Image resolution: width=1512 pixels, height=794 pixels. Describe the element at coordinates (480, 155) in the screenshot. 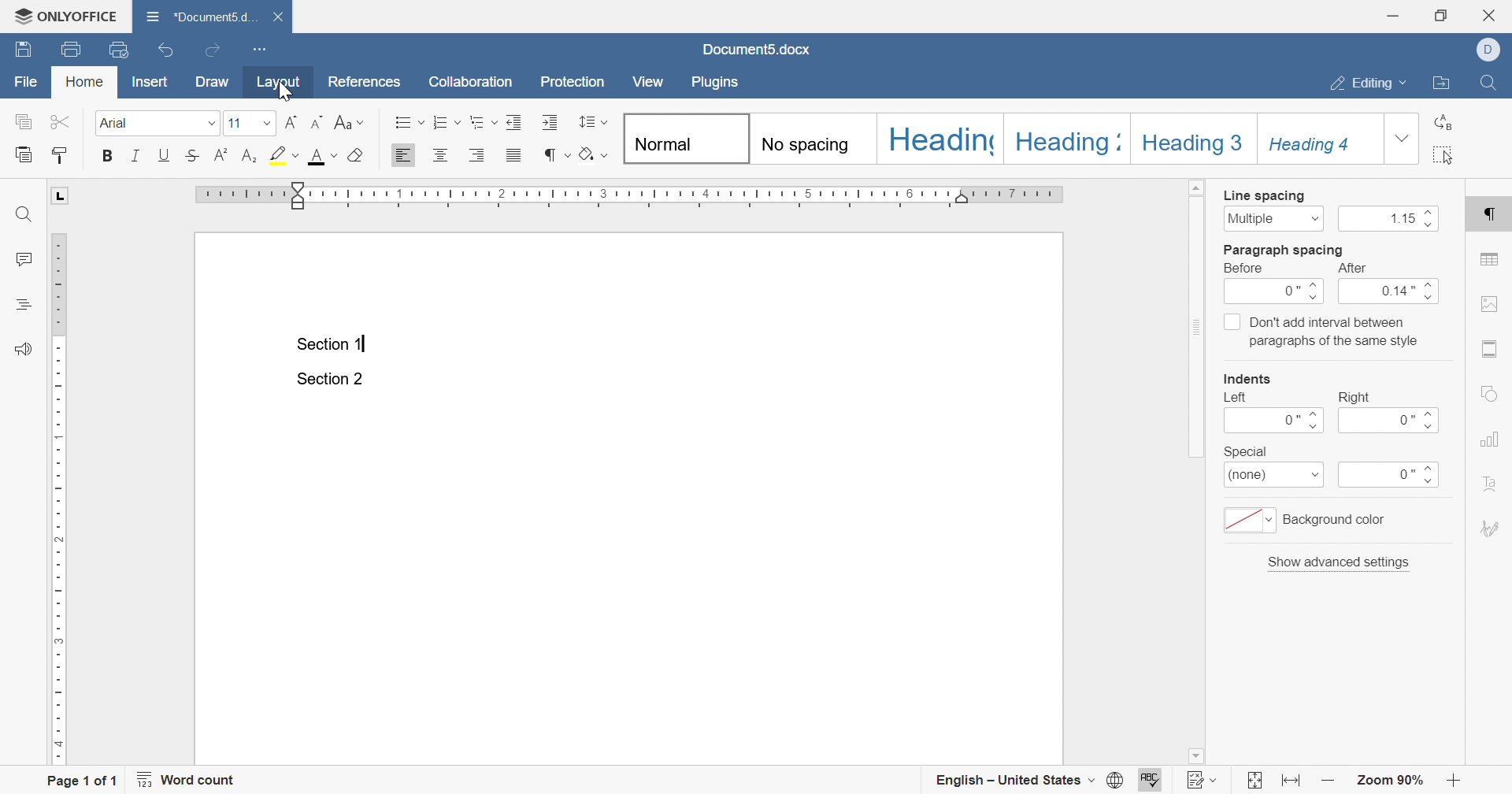

I see `Align right` at that location.